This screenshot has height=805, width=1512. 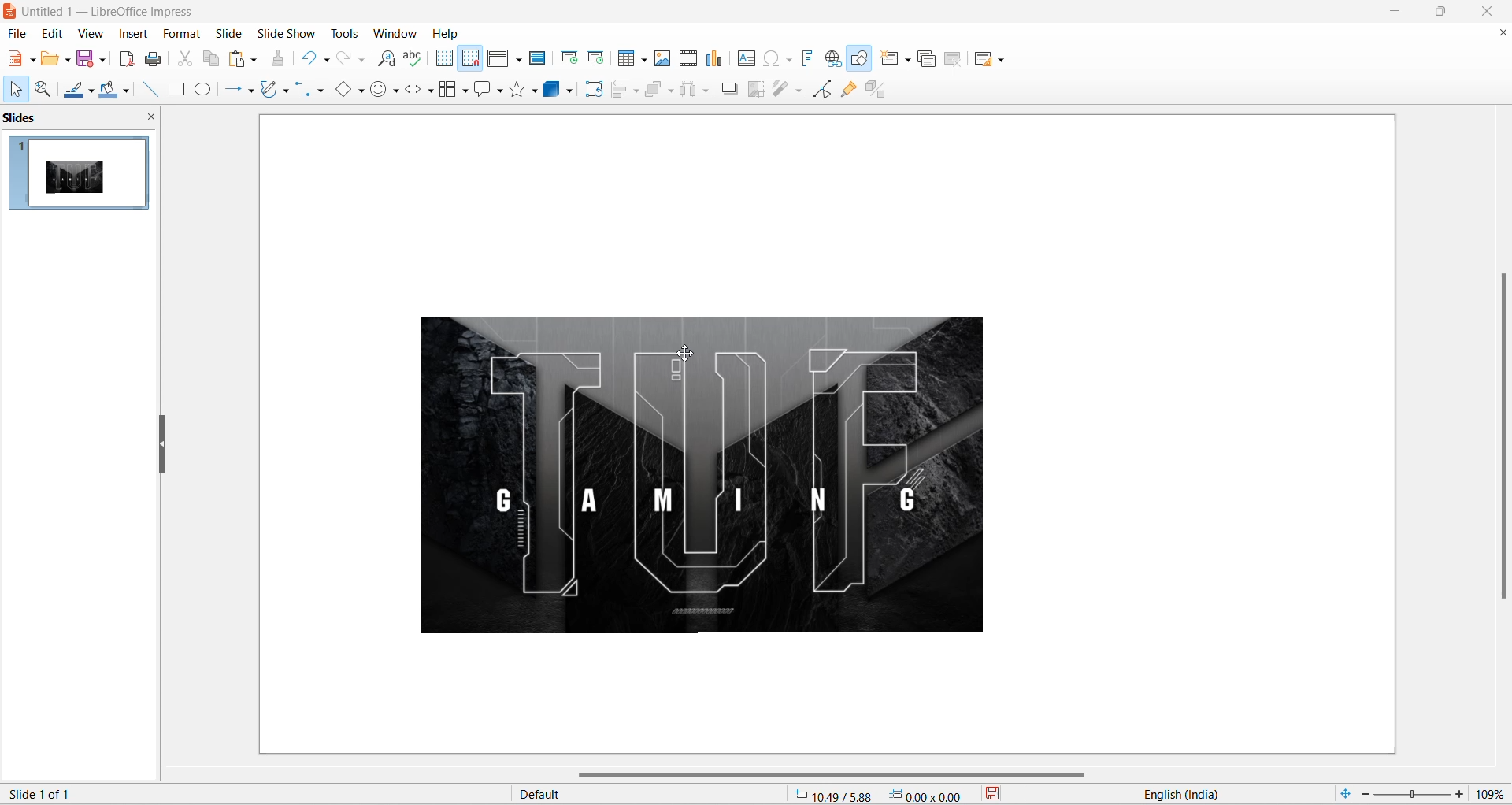 What do you see at coordinates (689, 91) in the screenshot?
I see `distribute objects` at bounding box center [689, 91].